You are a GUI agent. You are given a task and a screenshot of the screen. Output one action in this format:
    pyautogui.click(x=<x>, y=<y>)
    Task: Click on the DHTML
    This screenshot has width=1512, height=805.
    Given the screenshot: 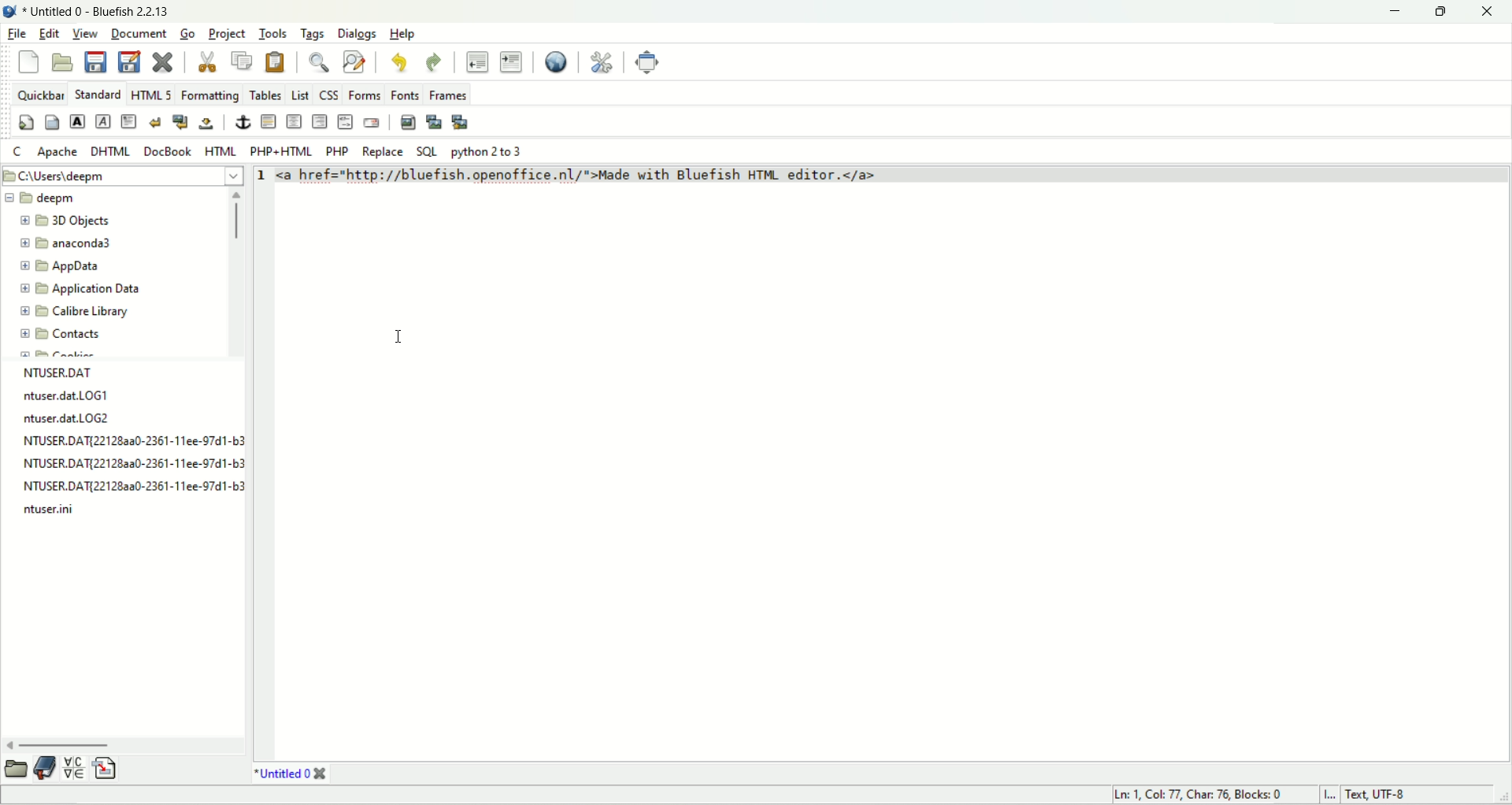 What is the action you would take?
    pyautogui.click(x=110, y=150)
    